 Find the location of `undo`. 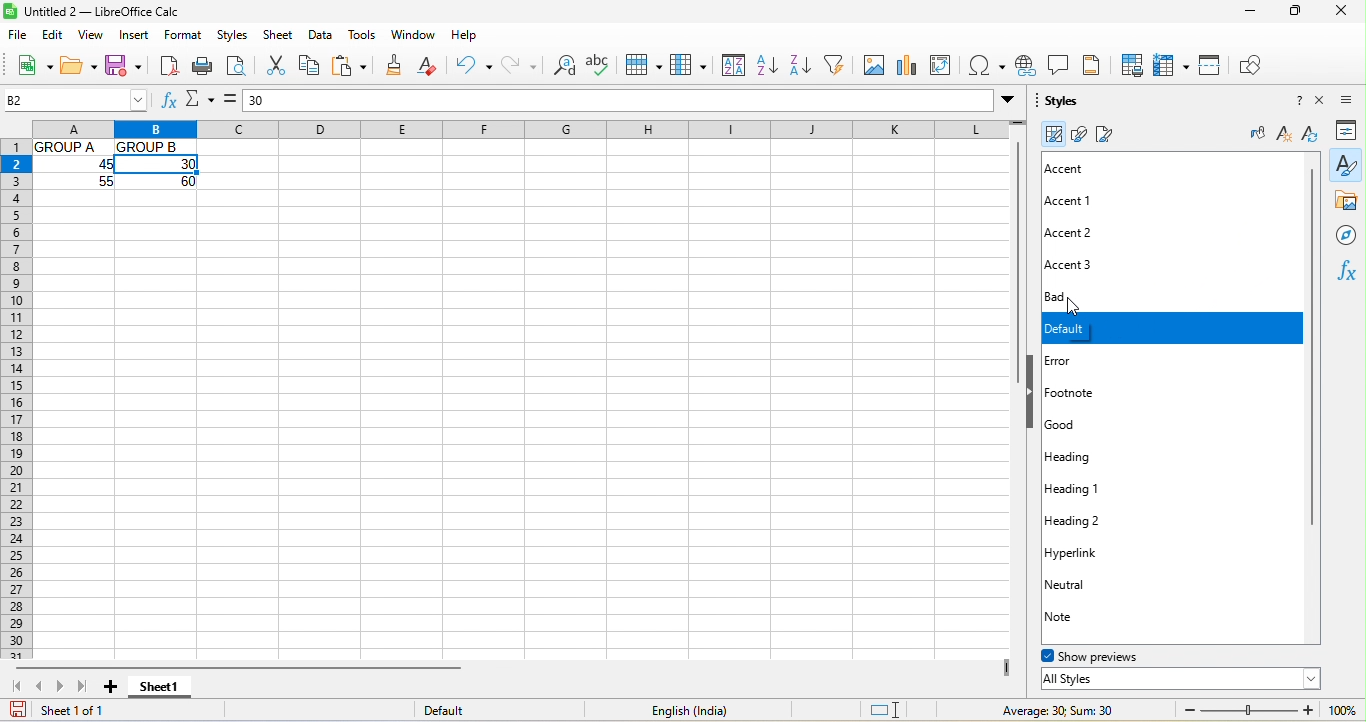

undo is located at coordinates (478, 65).